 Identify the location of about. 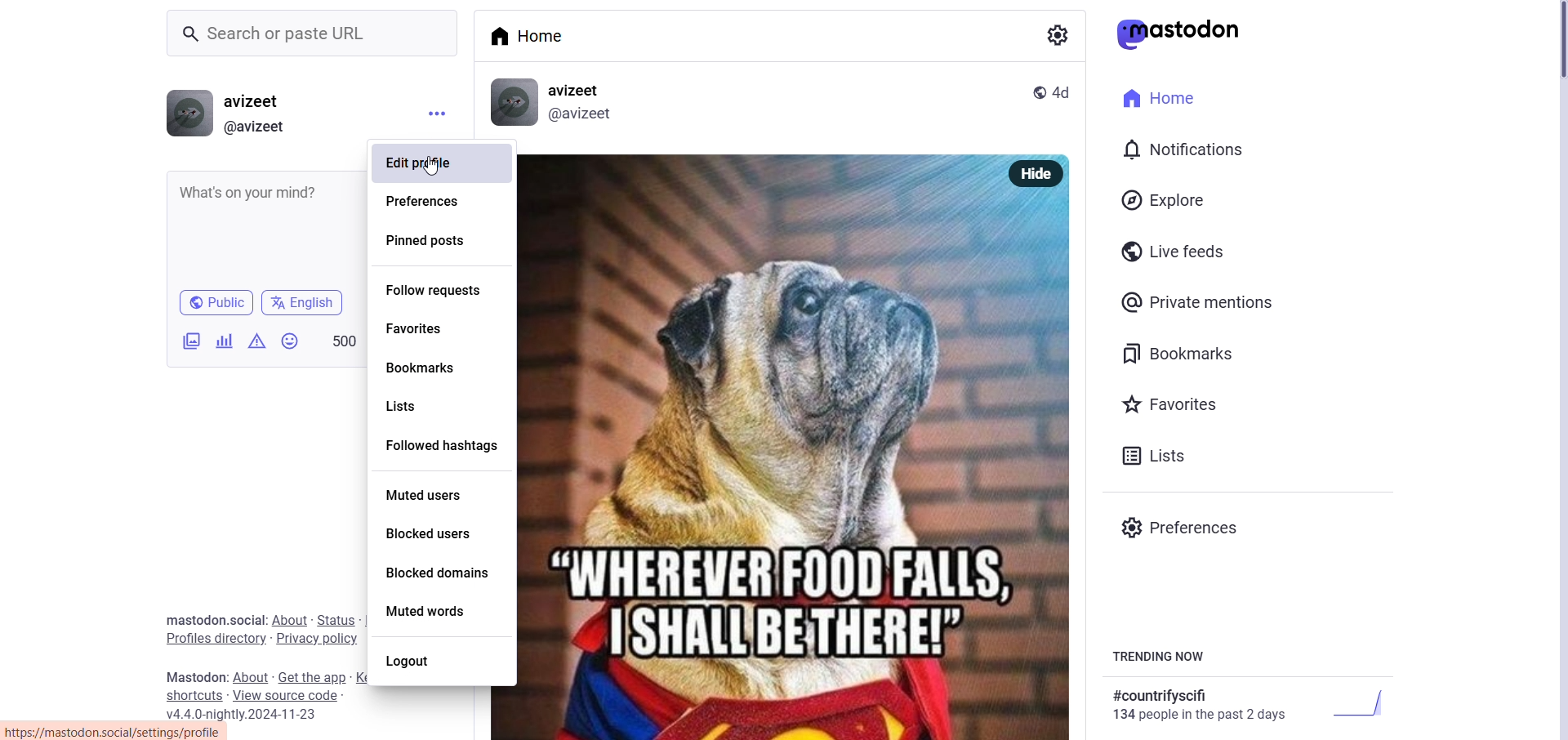
(286, 618).